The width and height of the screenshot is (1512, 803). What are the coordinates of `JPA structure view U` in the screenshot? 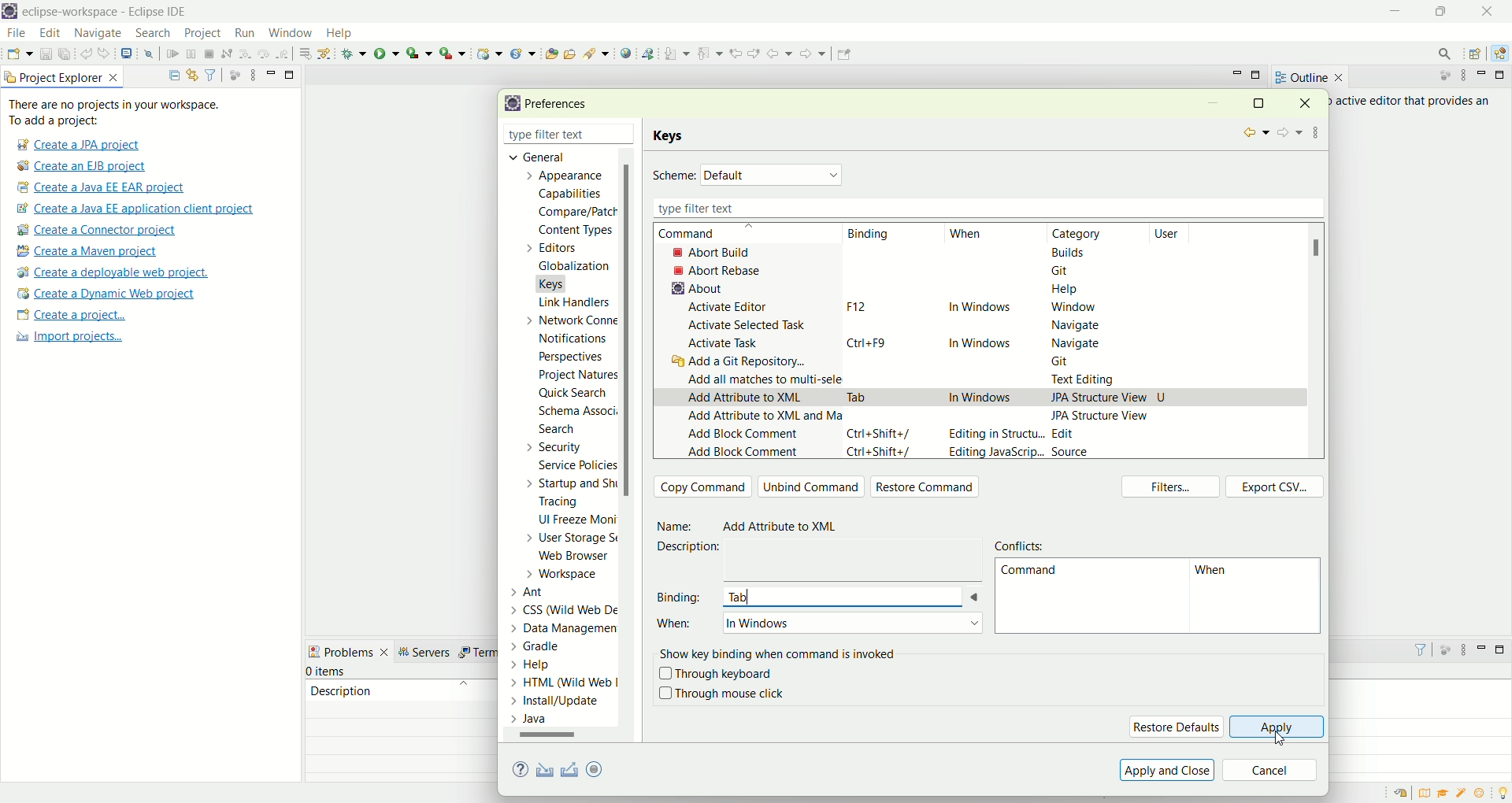 It's located at (1109, 396).